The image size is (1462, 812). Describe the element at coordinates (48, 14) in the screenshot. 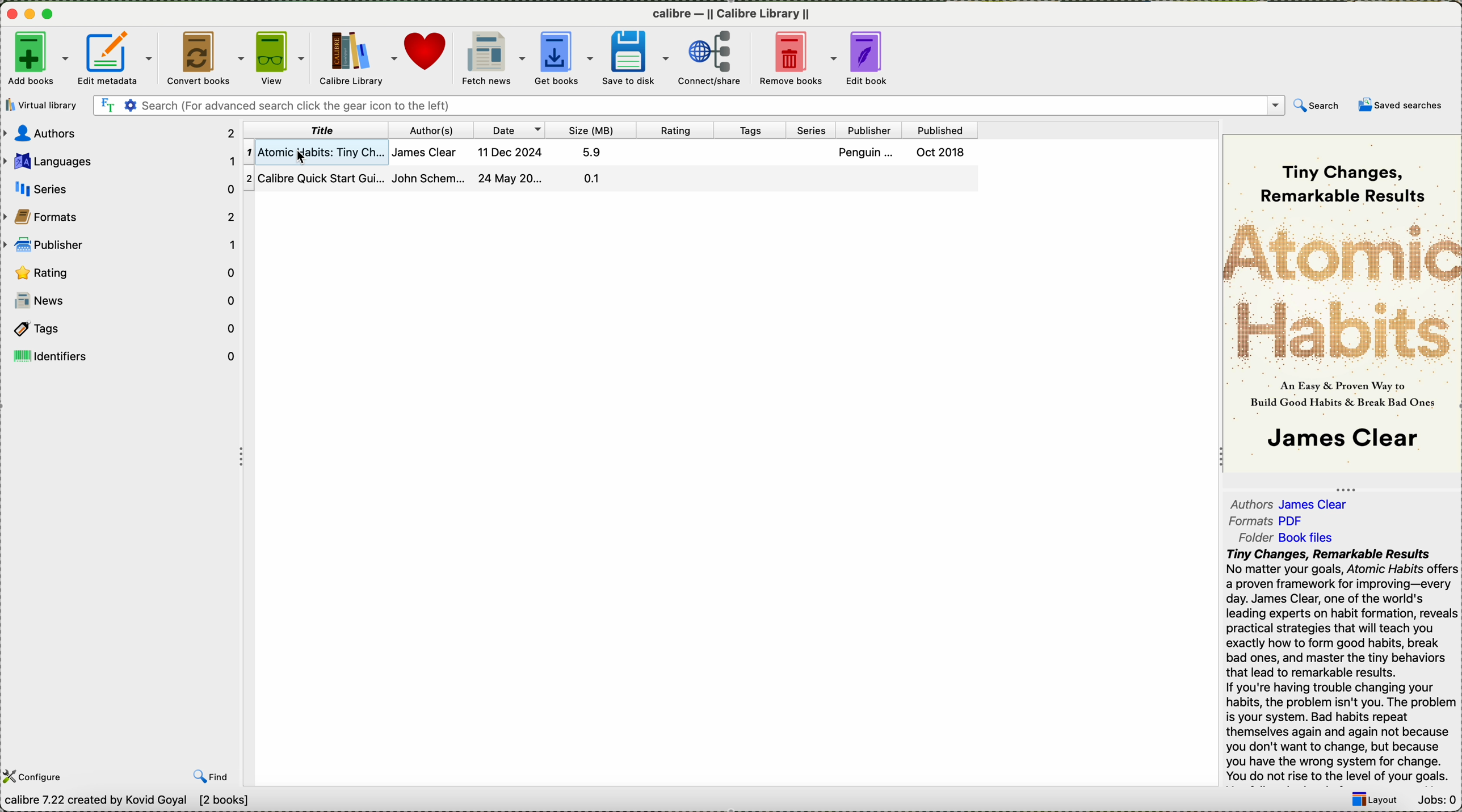

I see `maximize` at that location.